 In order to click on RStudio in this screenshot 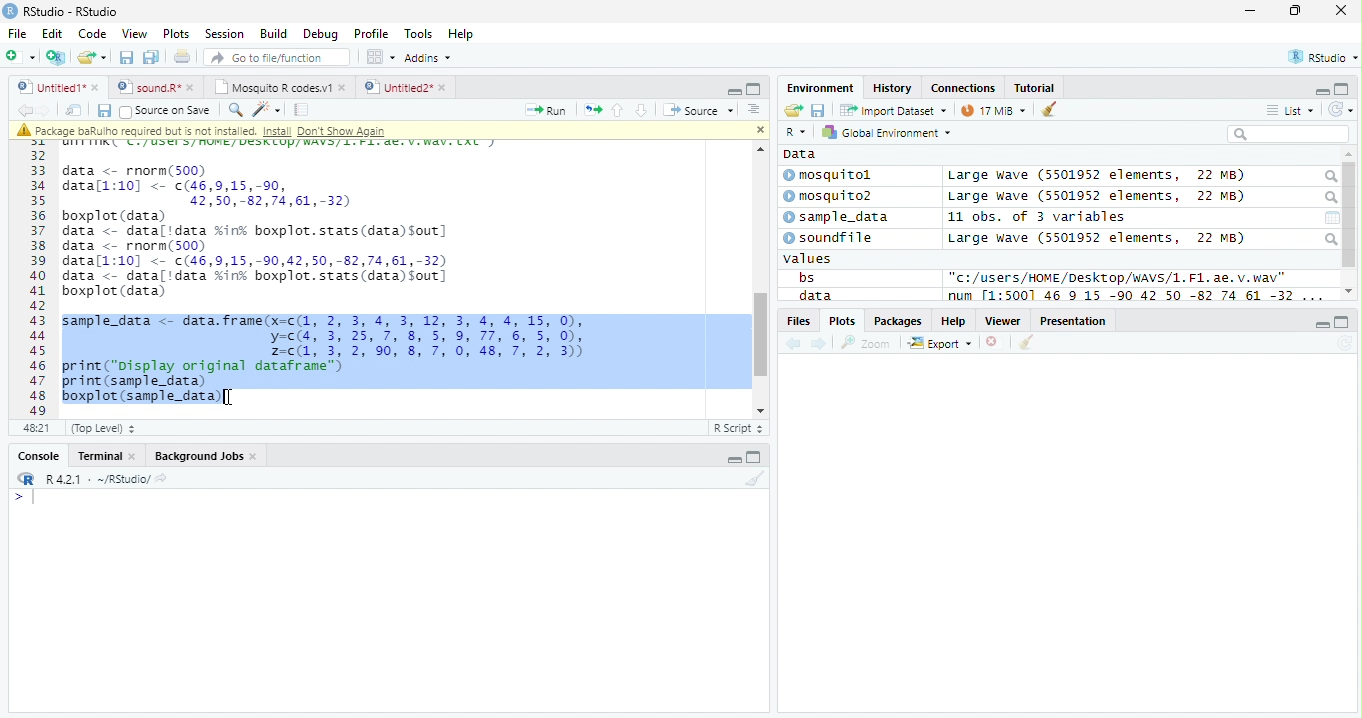, I will do `click(1321, 56)`.